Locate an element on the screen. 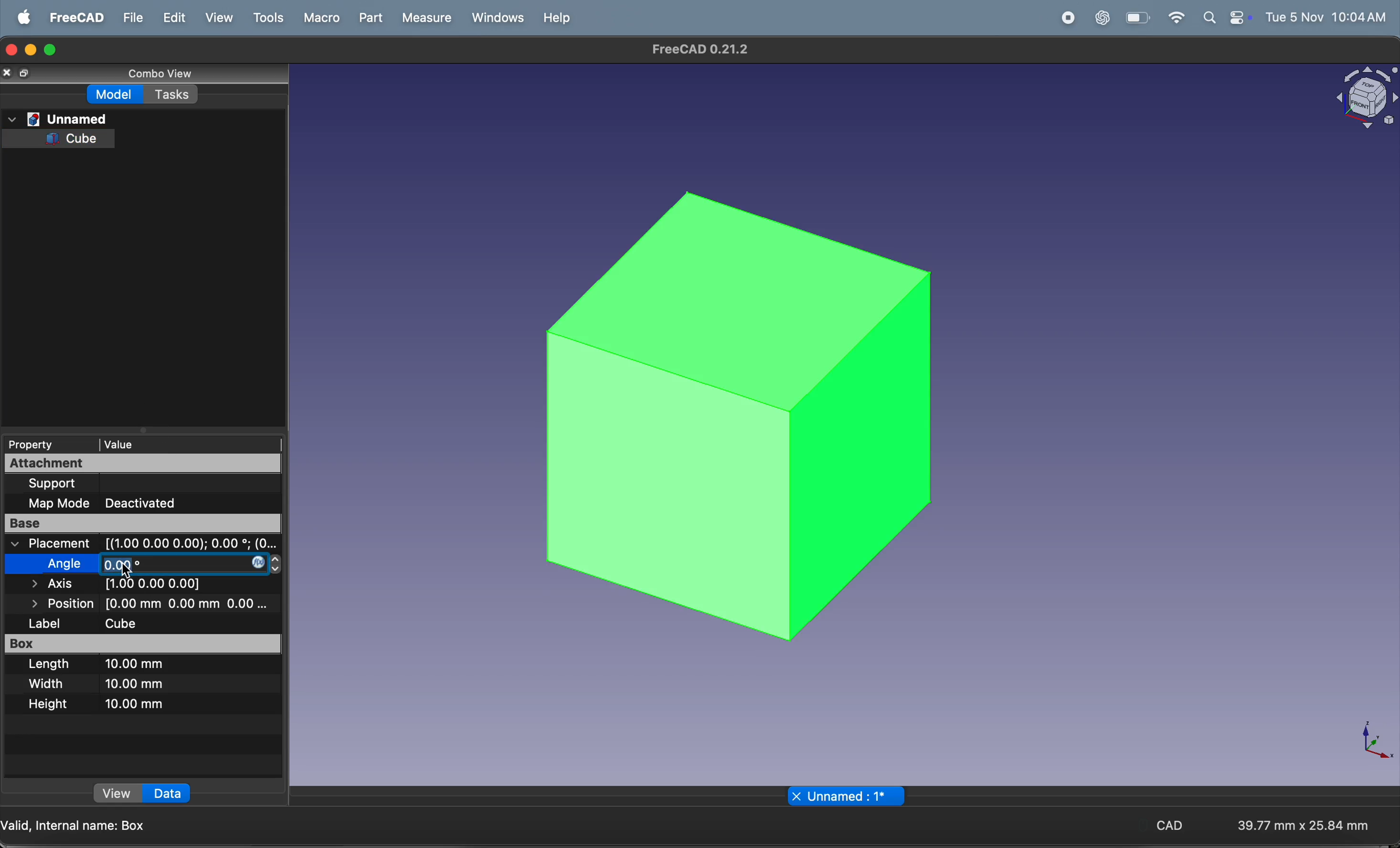 Image resolution: width=1400 pixels, height=848 pixels. 10mm is located at coordinates (142, 686).